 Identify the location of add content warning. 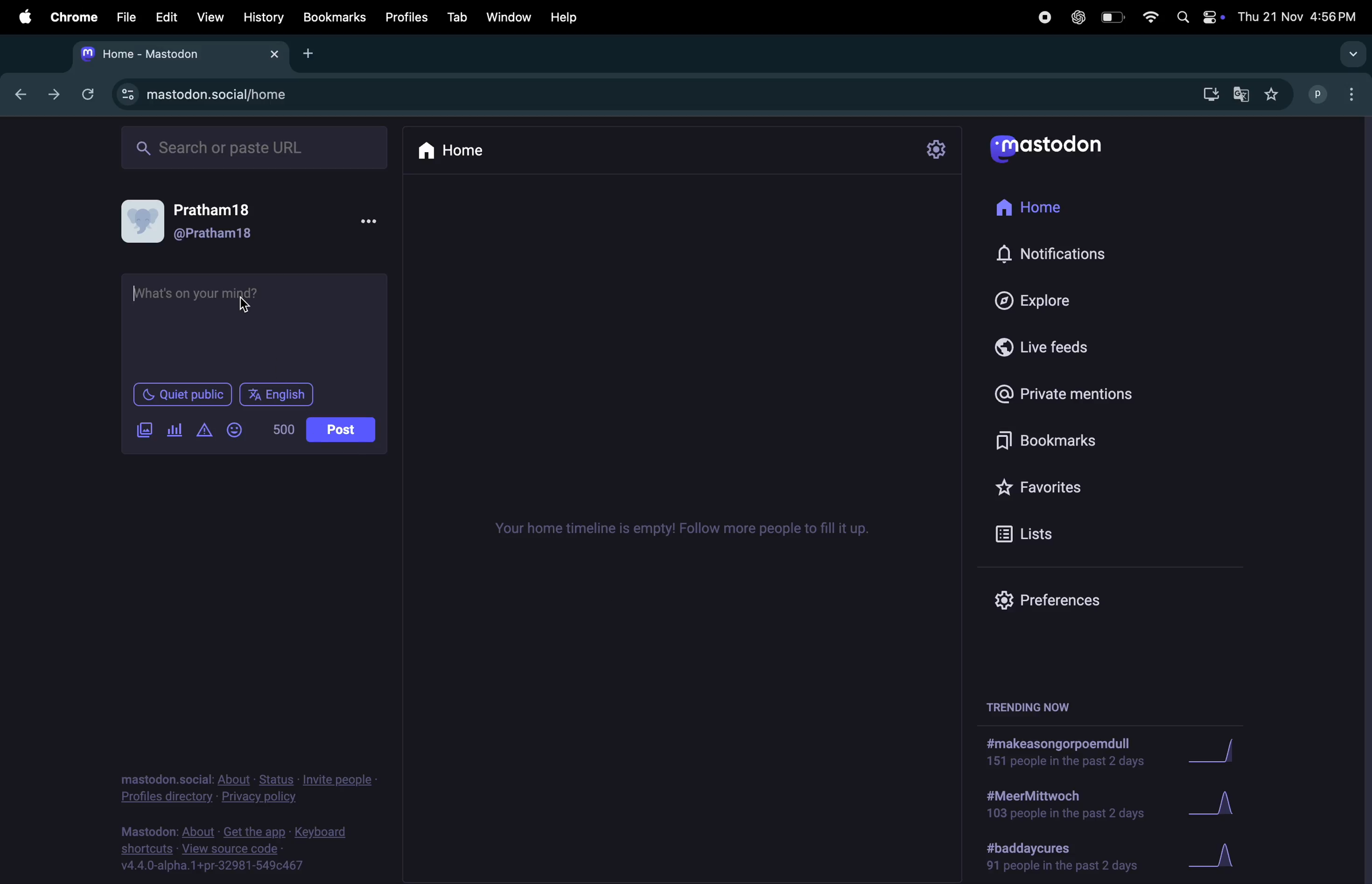
(204, 432).